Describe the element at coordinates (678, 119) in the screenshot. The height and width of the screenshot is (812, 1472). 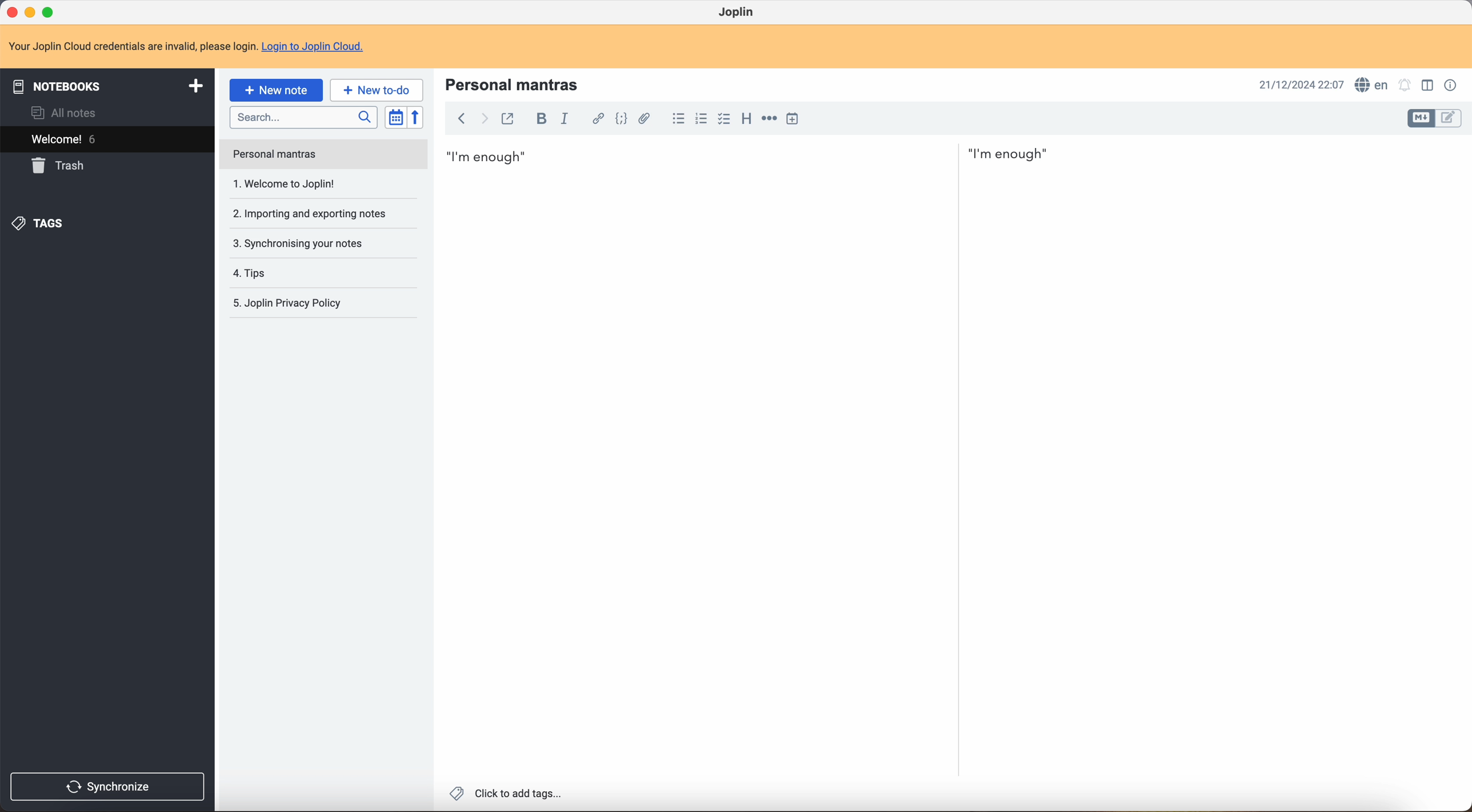
I see `bulleted list` at that location.